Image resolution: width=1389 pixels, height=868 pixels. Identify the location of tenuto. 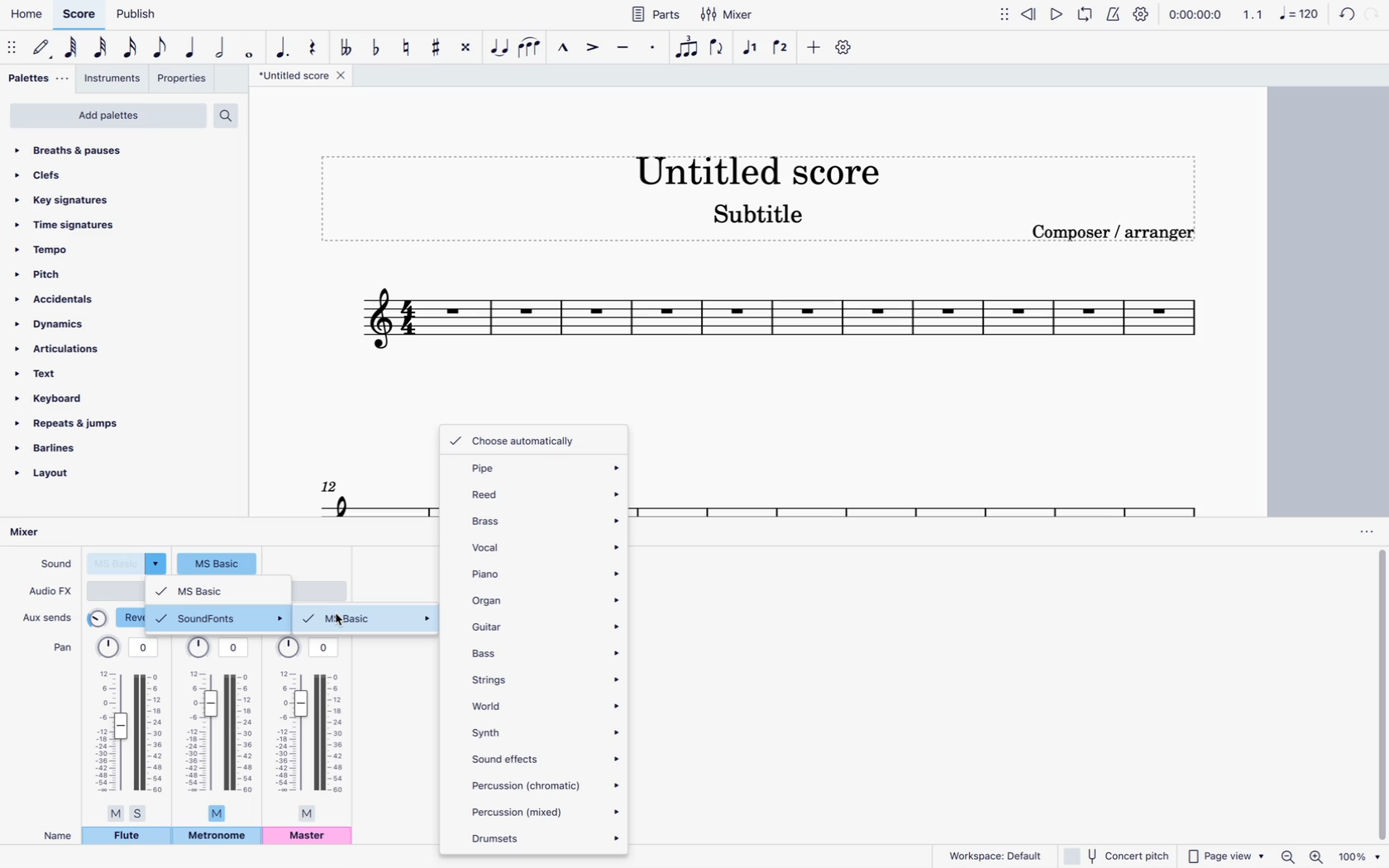
(624, 47).